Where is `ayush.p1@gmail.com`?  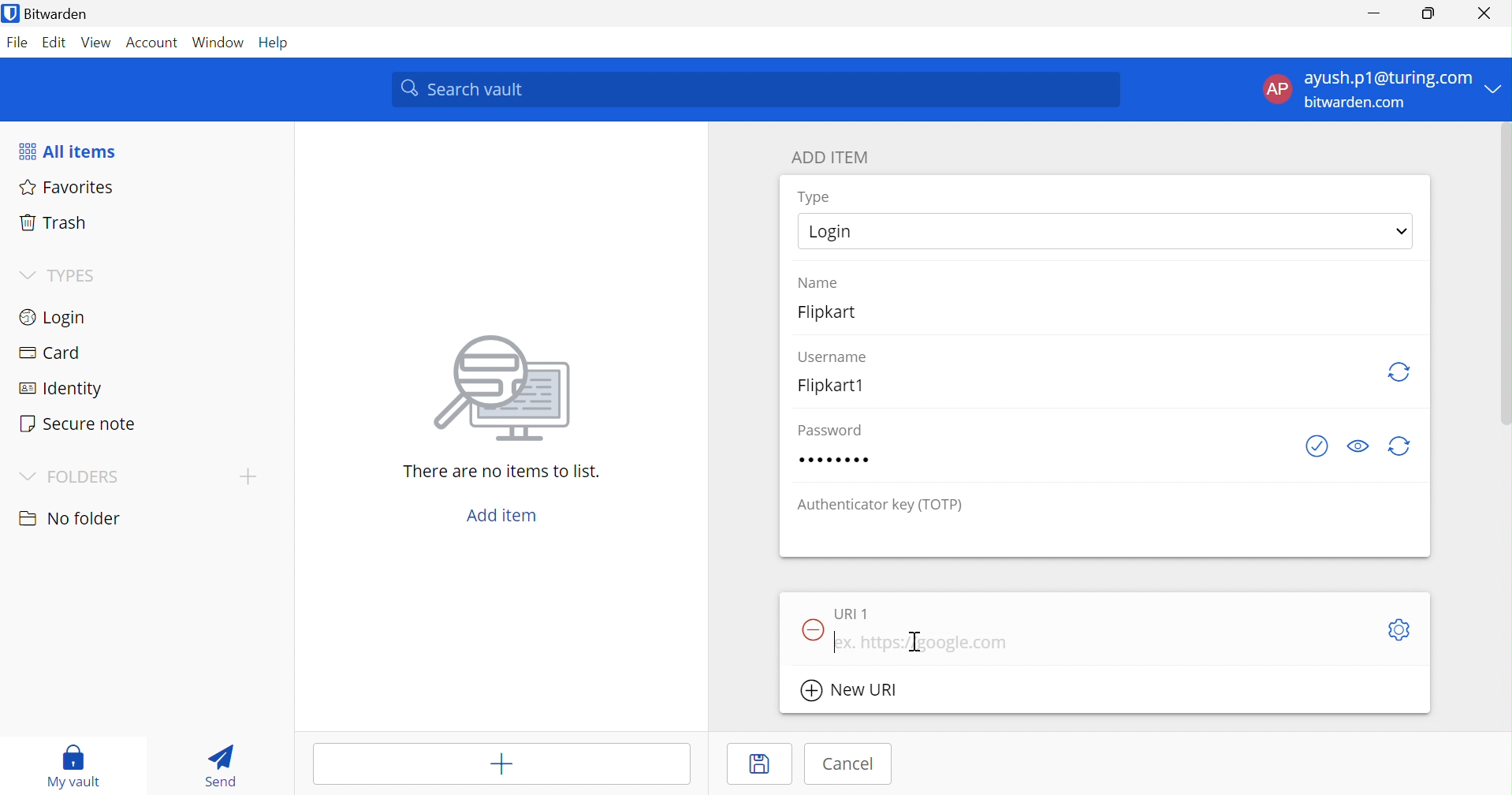 ayush.p1@gmail.com is located at coordinates (1386, 80).